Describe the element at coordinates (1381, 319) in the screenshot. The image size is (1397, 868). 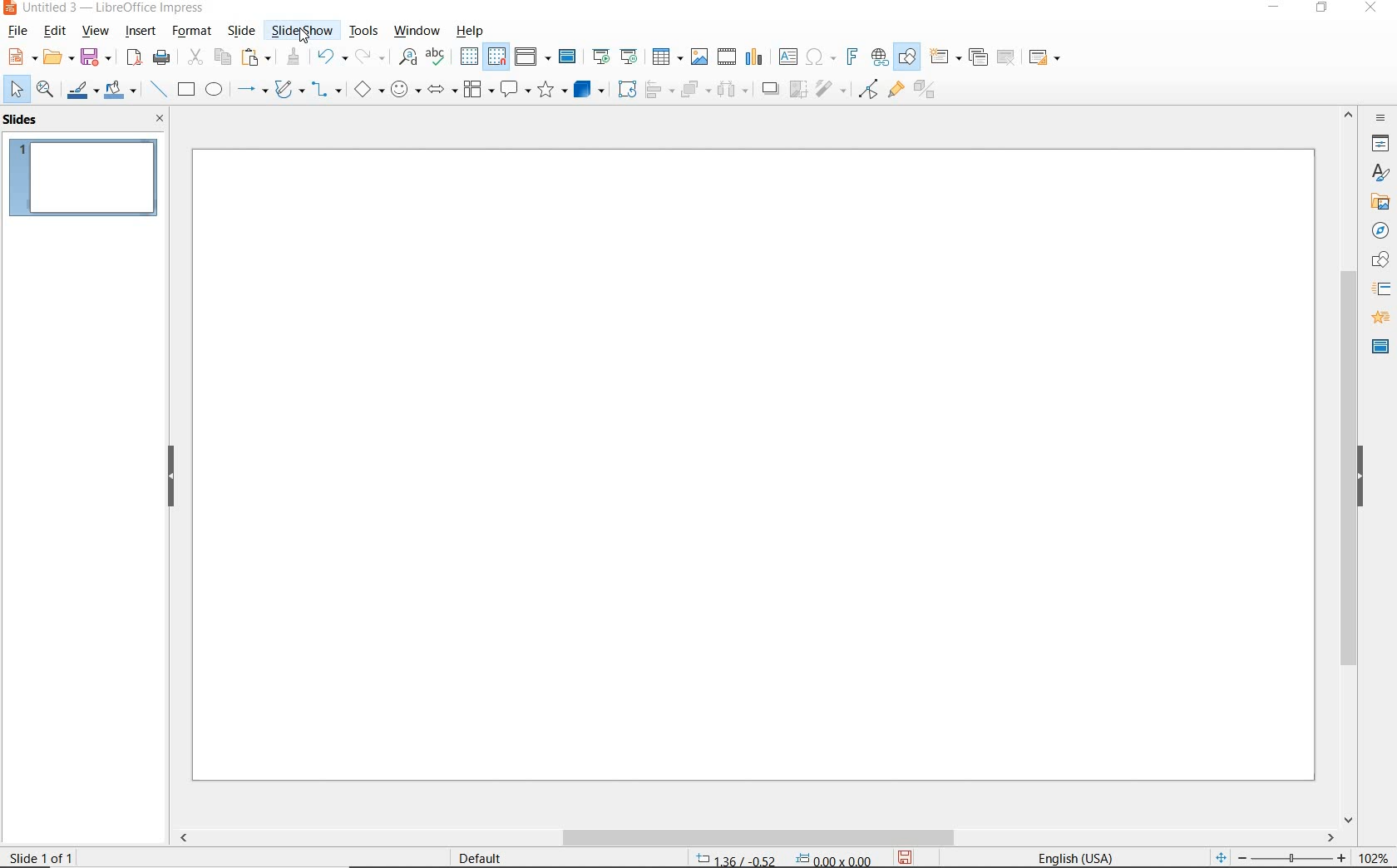
I see `ANIMATION` at that location.